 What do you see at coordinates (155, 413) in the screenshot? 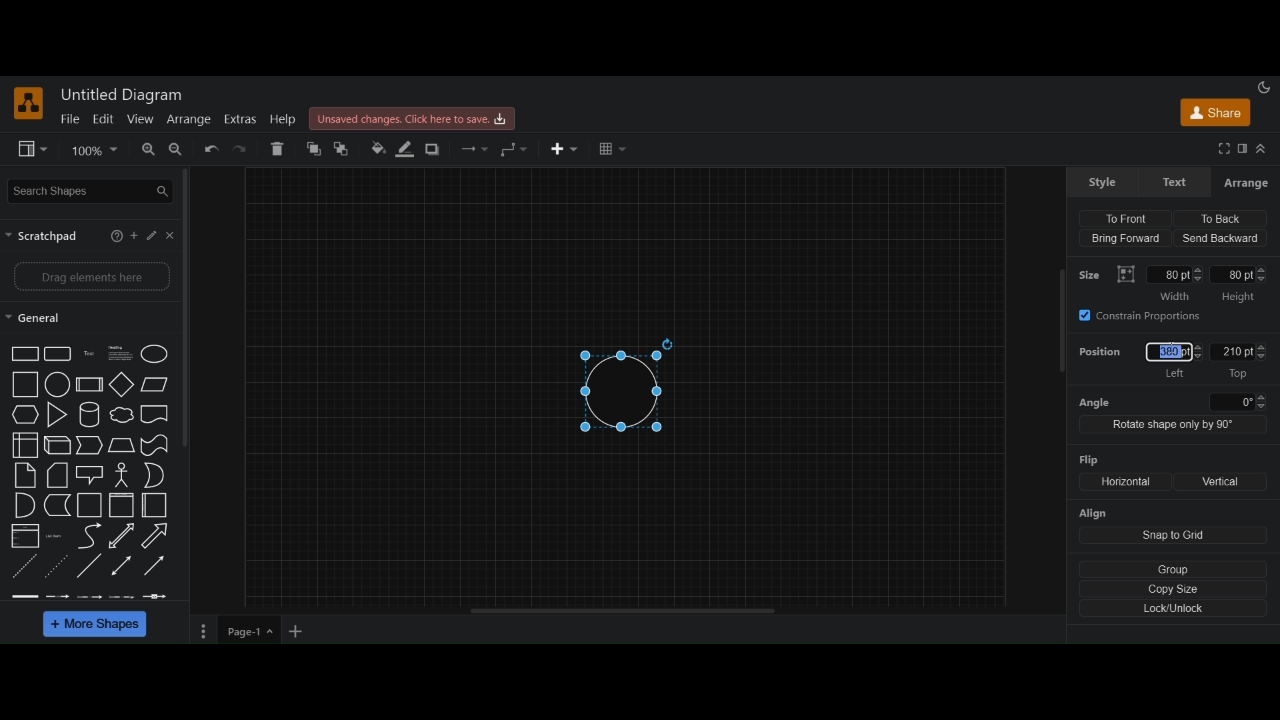
I see `square free shape` at bounding box center [155, 413].